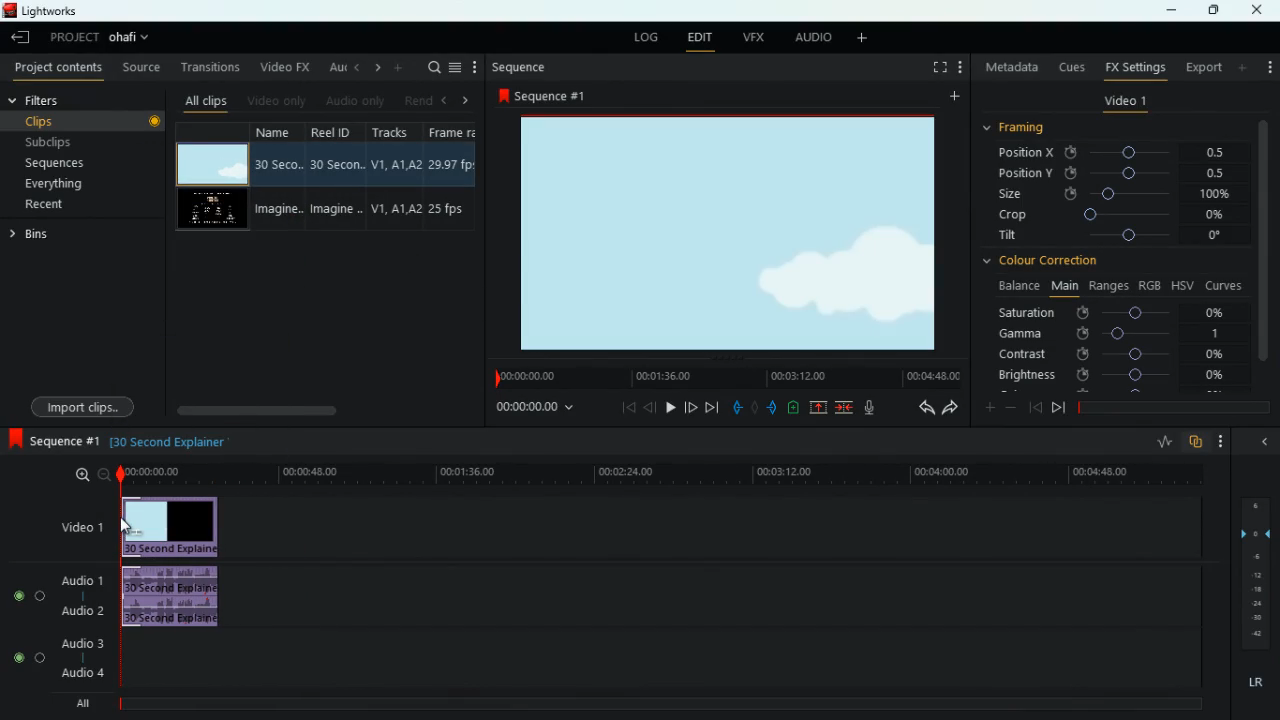 Image resolution: width=1280 pixels, height=720 pixels. Describe the element at coordinates (1256, 619) in the screenshot. I see `` at that location.